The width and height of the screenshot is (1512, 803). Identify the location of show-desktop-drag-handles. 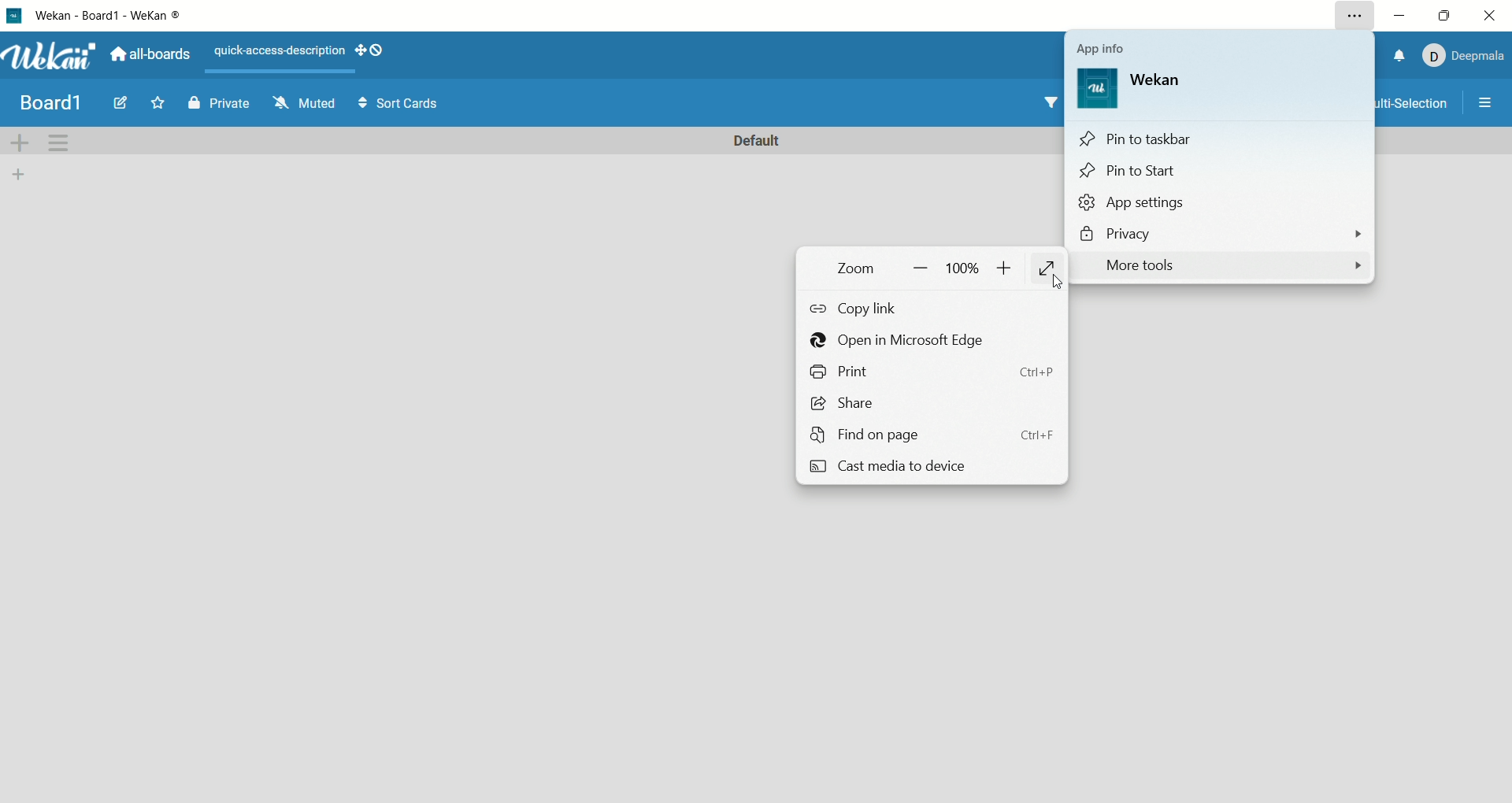
(358, 46).